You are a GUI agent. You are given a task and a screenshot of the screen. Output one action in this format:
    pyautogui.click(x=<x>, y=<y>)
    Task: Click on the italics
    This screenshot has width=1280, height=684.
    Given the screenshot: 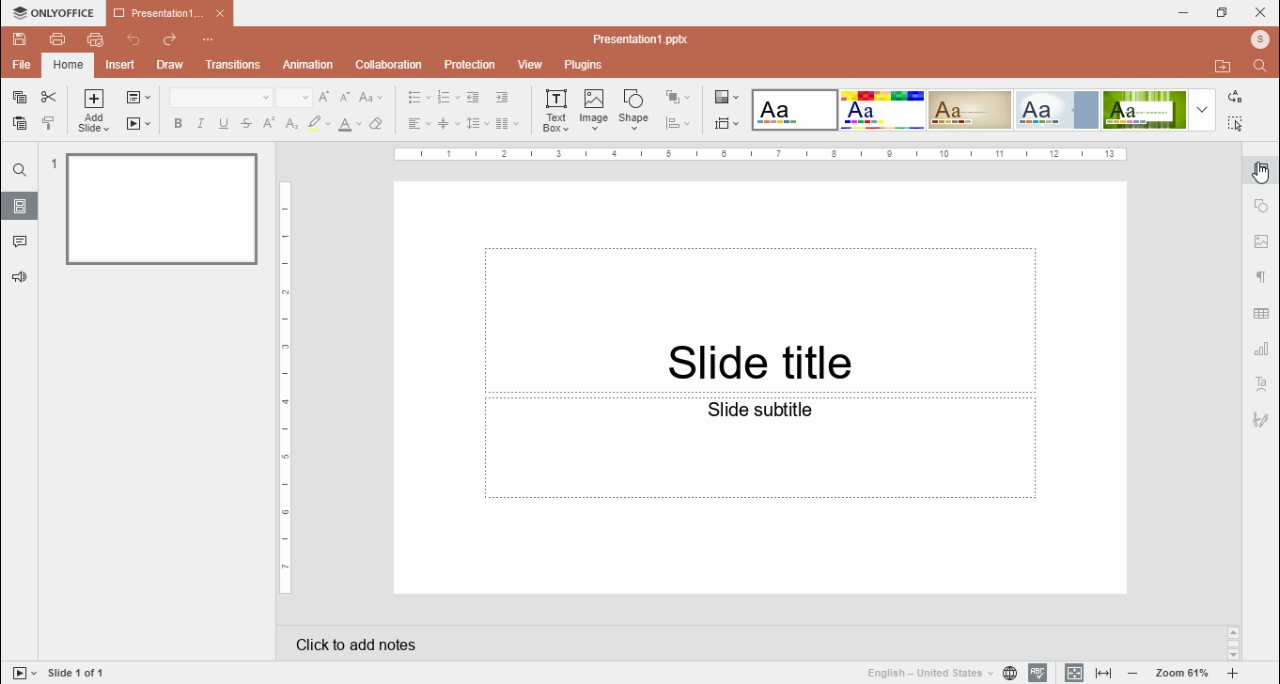 What is the action you would take?
    pyautogui.click(x=201, y=124)
    